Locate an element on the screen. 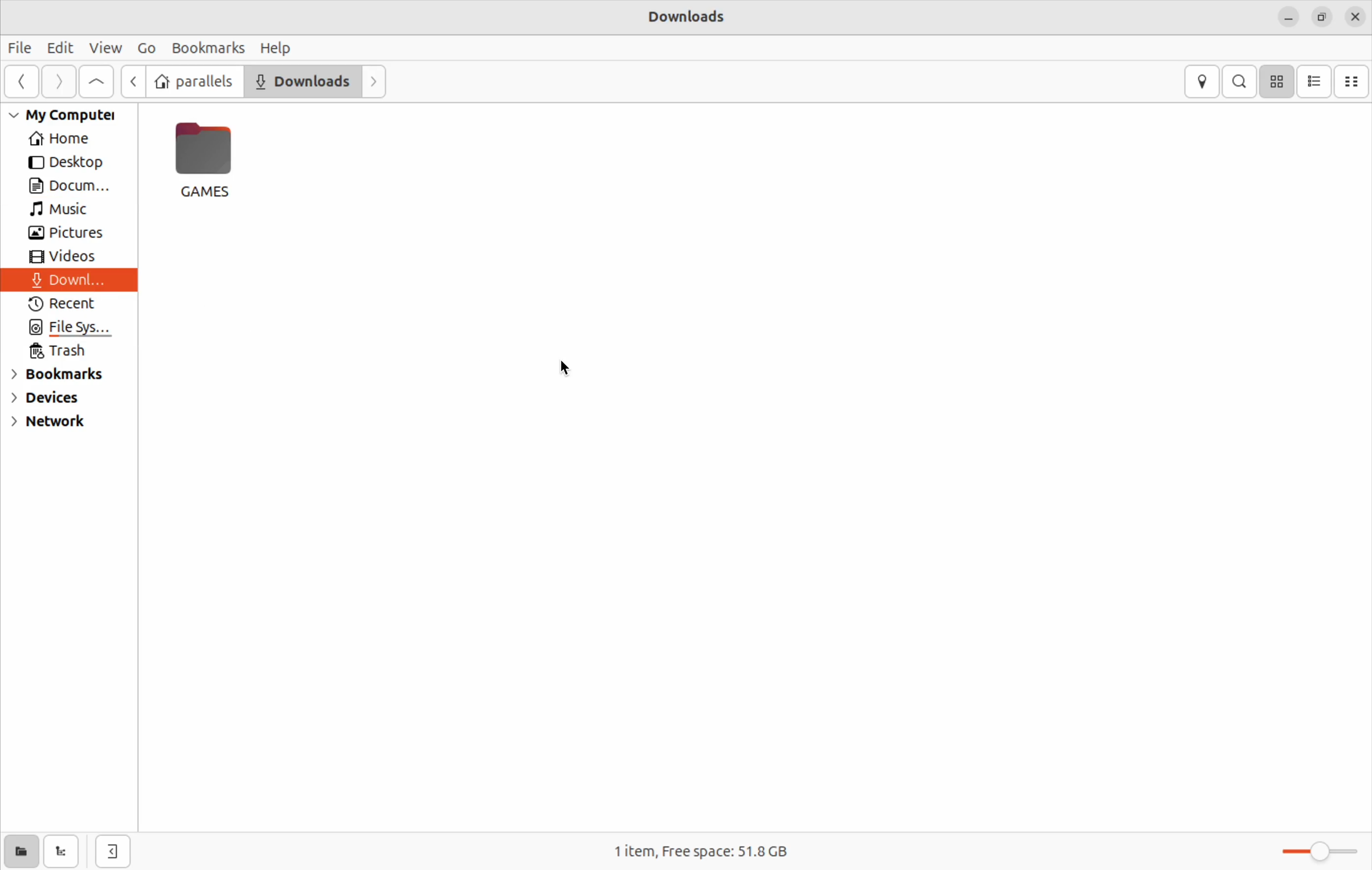 The image size is (1372, 870). forward is located at coordinates (376, 82).